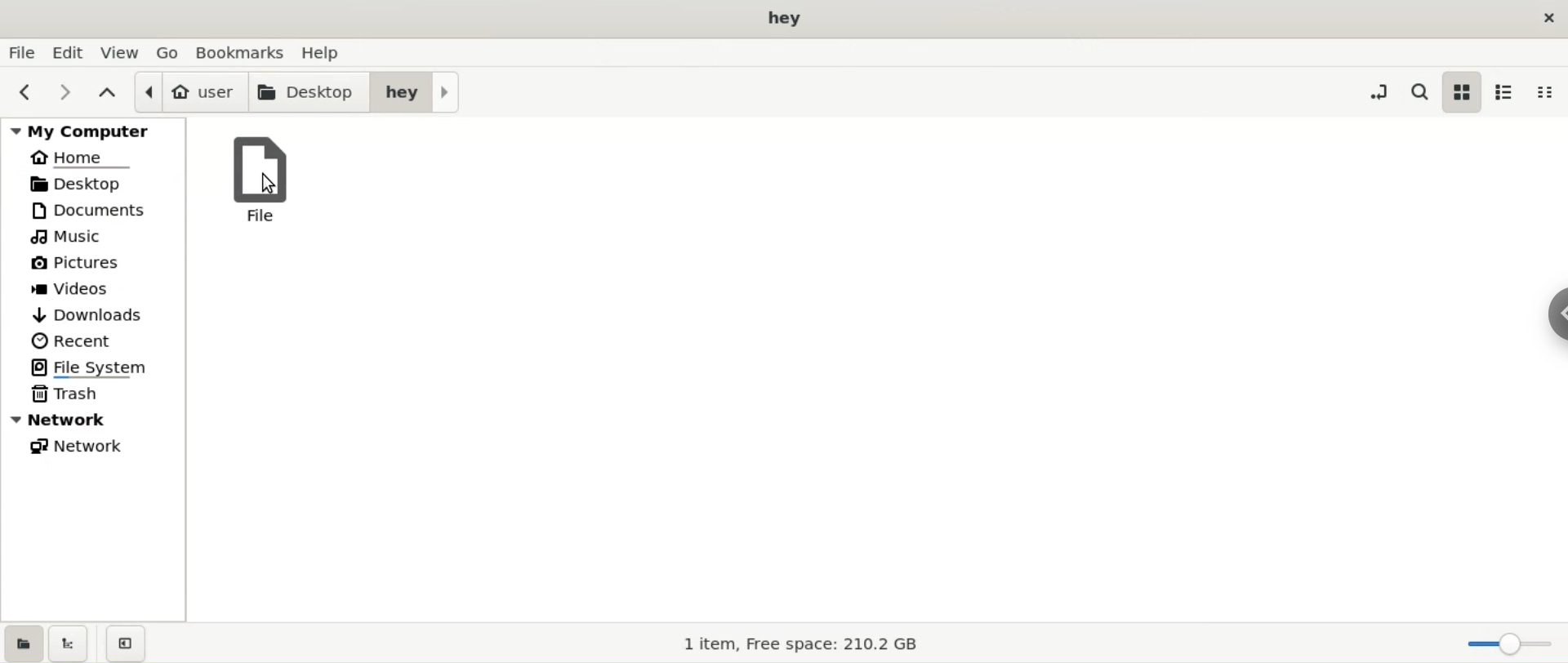  Describe the element at coordinates (189, 92) in the screenshot. I see `user` at that location.